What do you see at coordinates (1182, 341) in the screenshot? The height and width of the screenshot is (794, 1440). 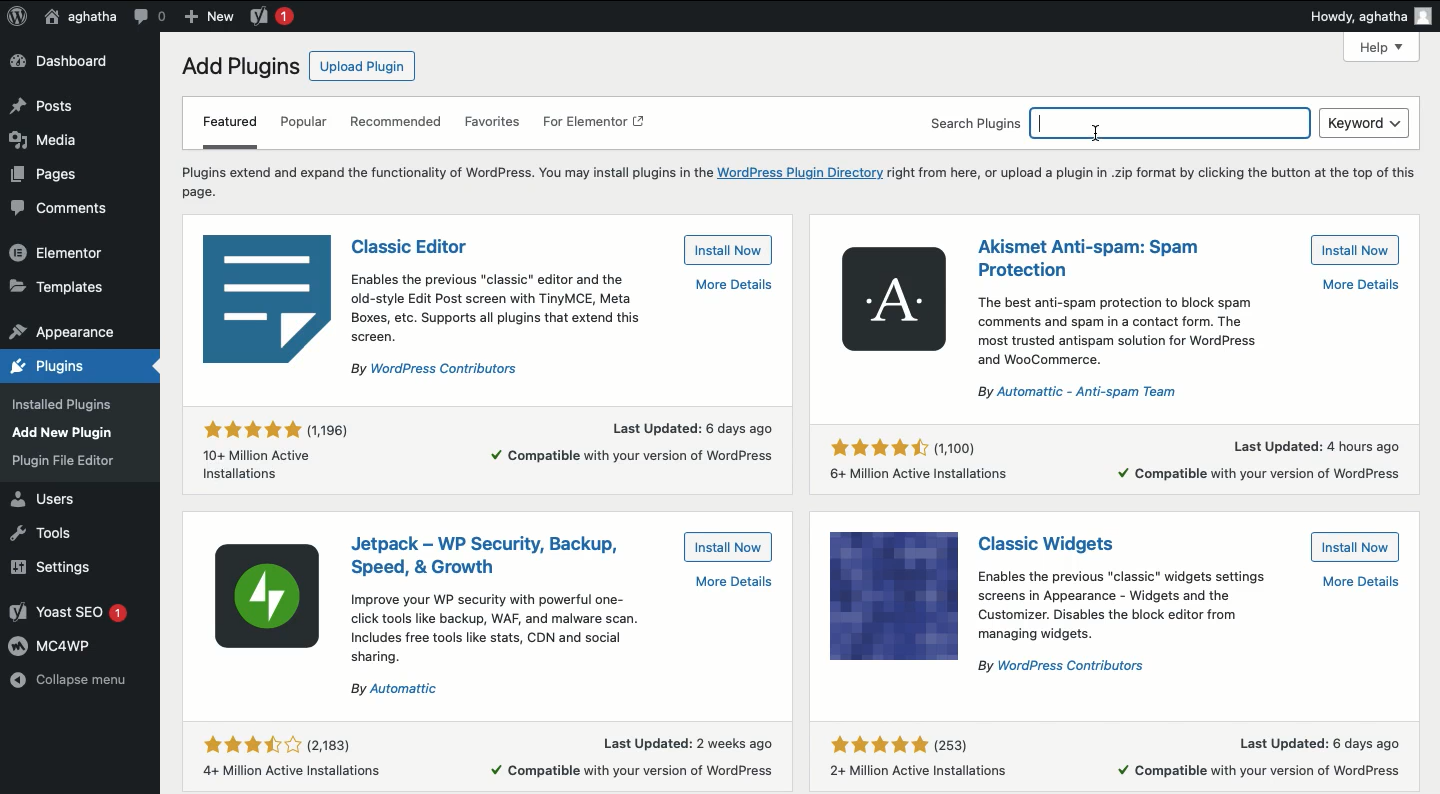 I see `‘The best anti-spam protection to block spamcomments and spam in a contact form. Themost trusted antispam solution for WordPress and WooCommerce.` at bounding box center [1182, 341].